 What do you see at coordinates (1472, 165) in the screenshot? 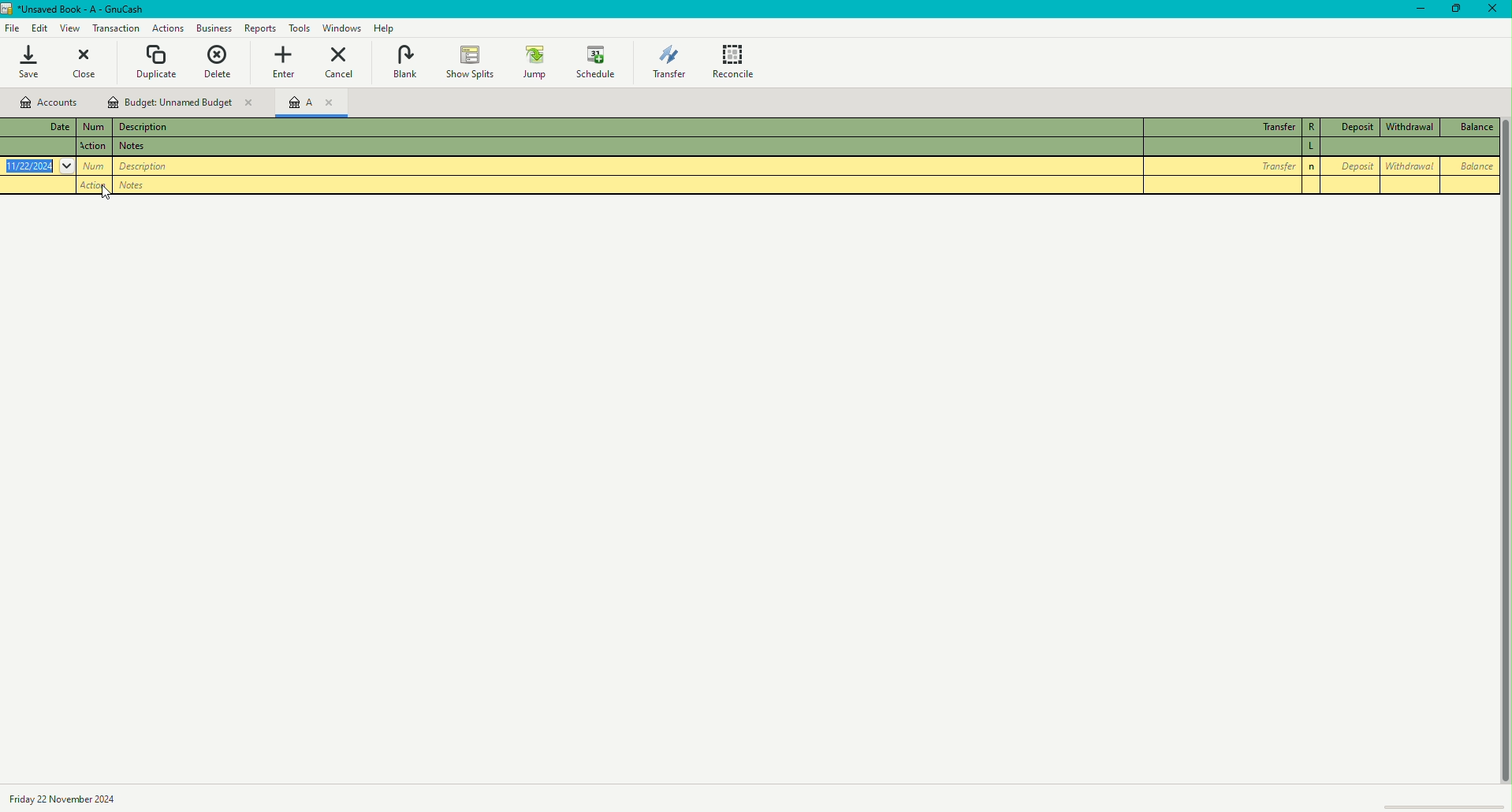
I see `Balance` at bounding box center [1472, 165].